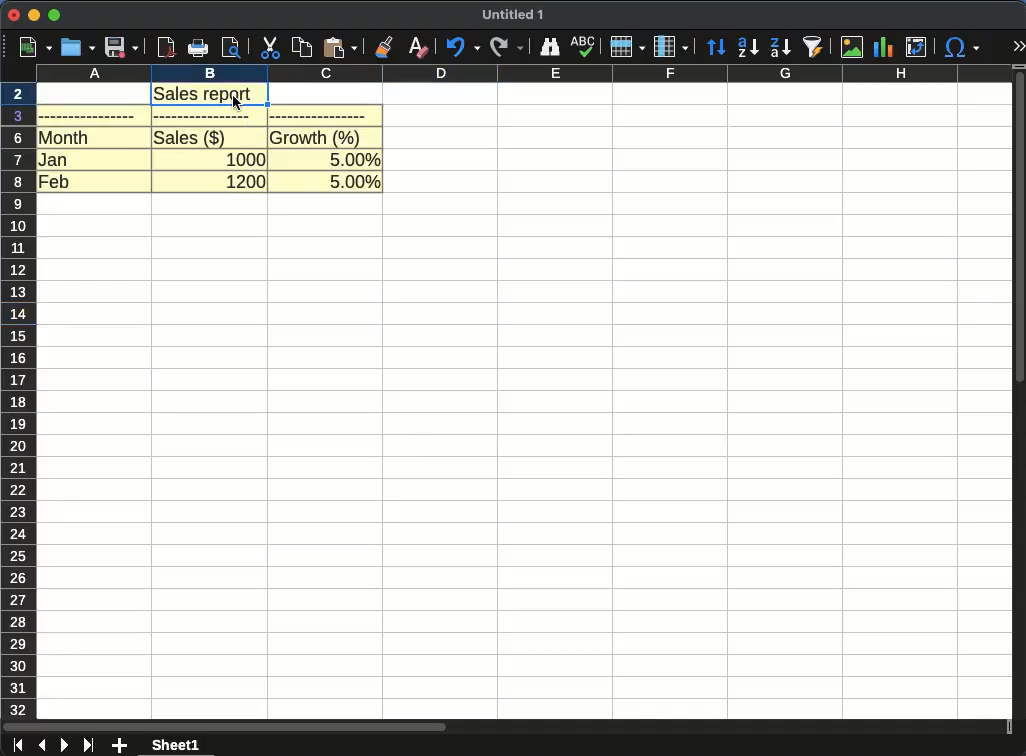 The width and height of the screenshot is (1026, 756). Describe the element at coordinates (232, 47) in the screenshot. I see `print preview` at that location.